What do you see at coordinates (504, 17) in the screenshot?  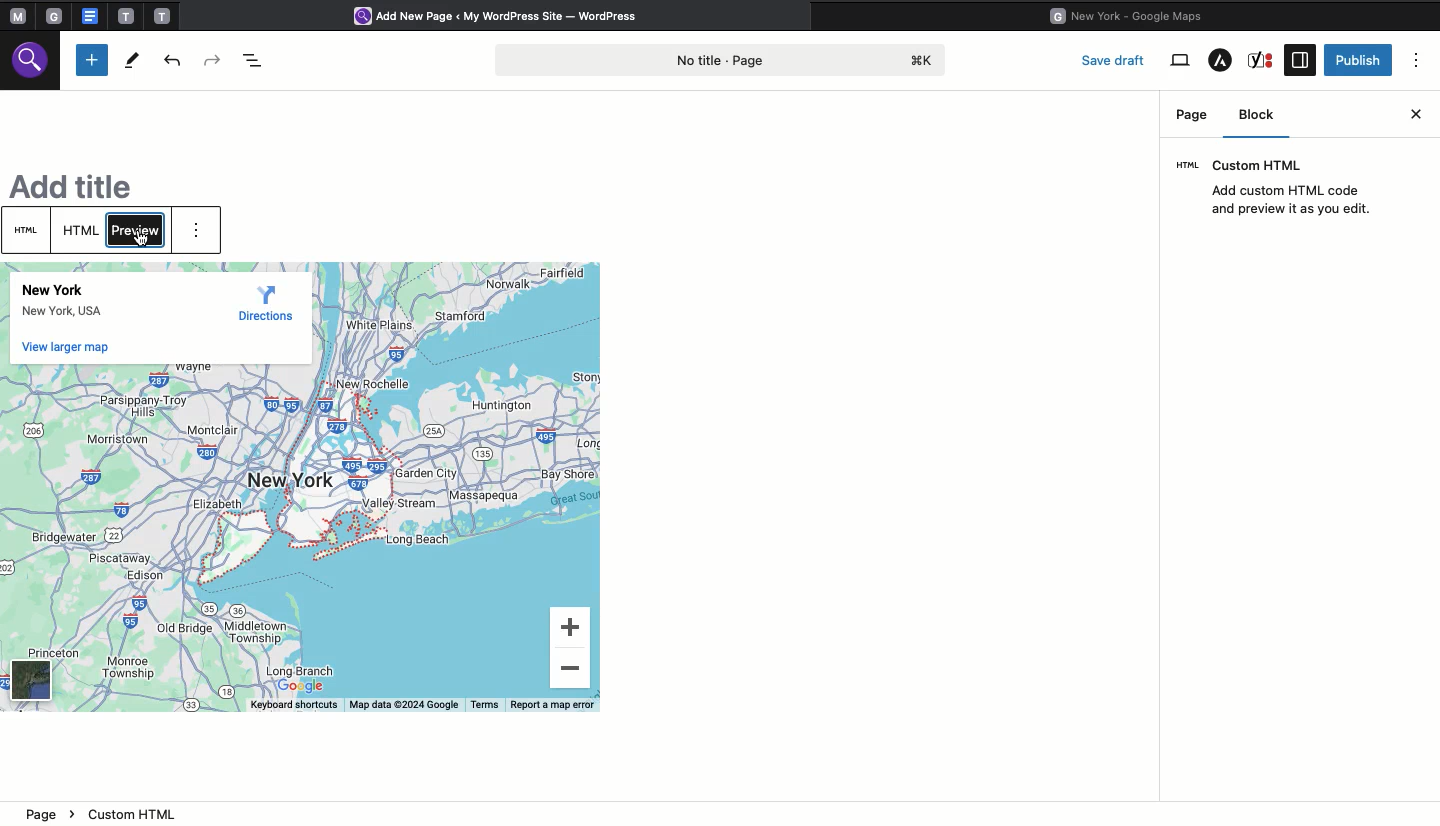 I see `Wordpress` at bounding box center [504, 17].